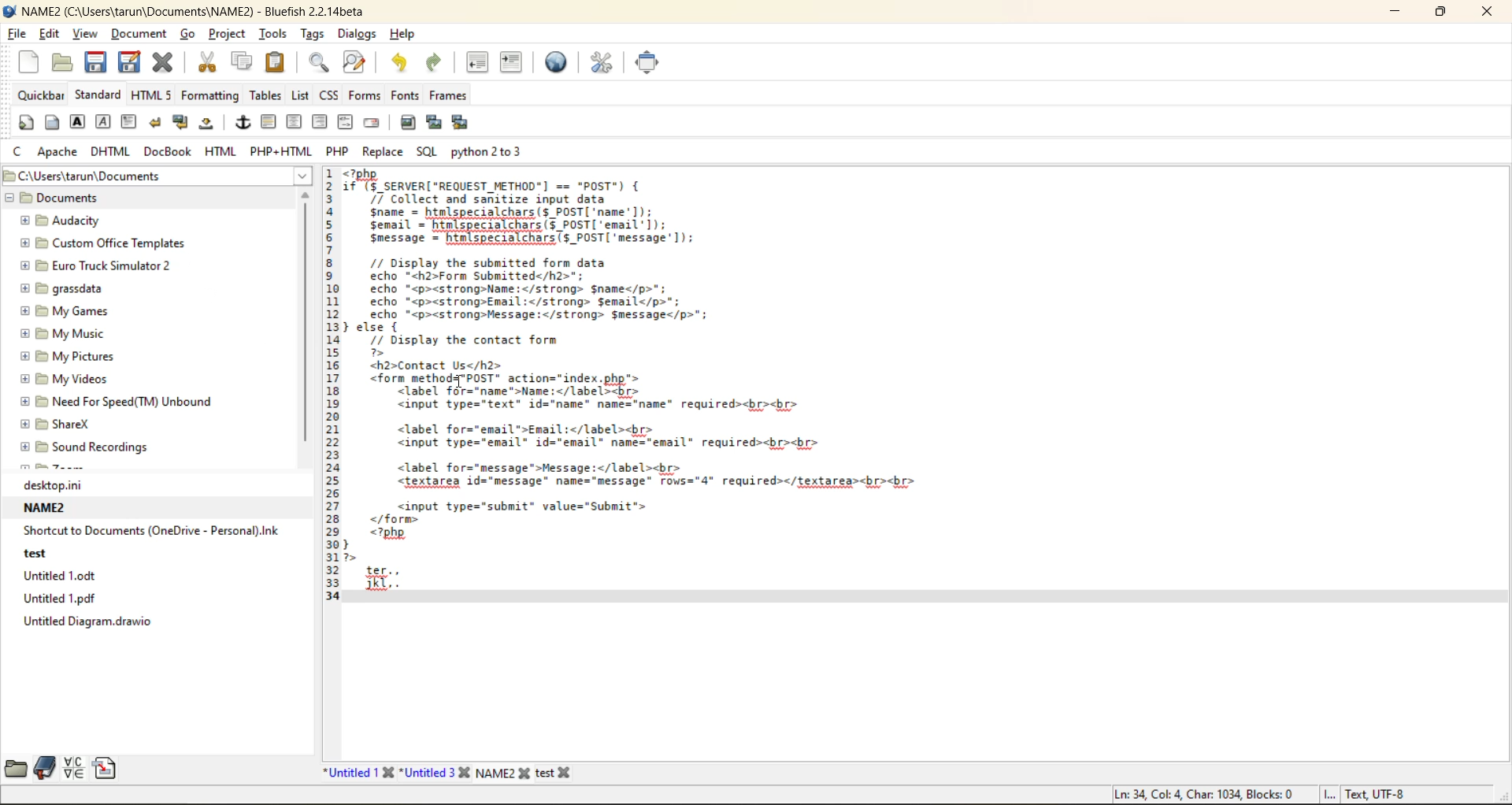 This screenshot has width=1512, height=805. I want to click on right justify, so click(320, 123).